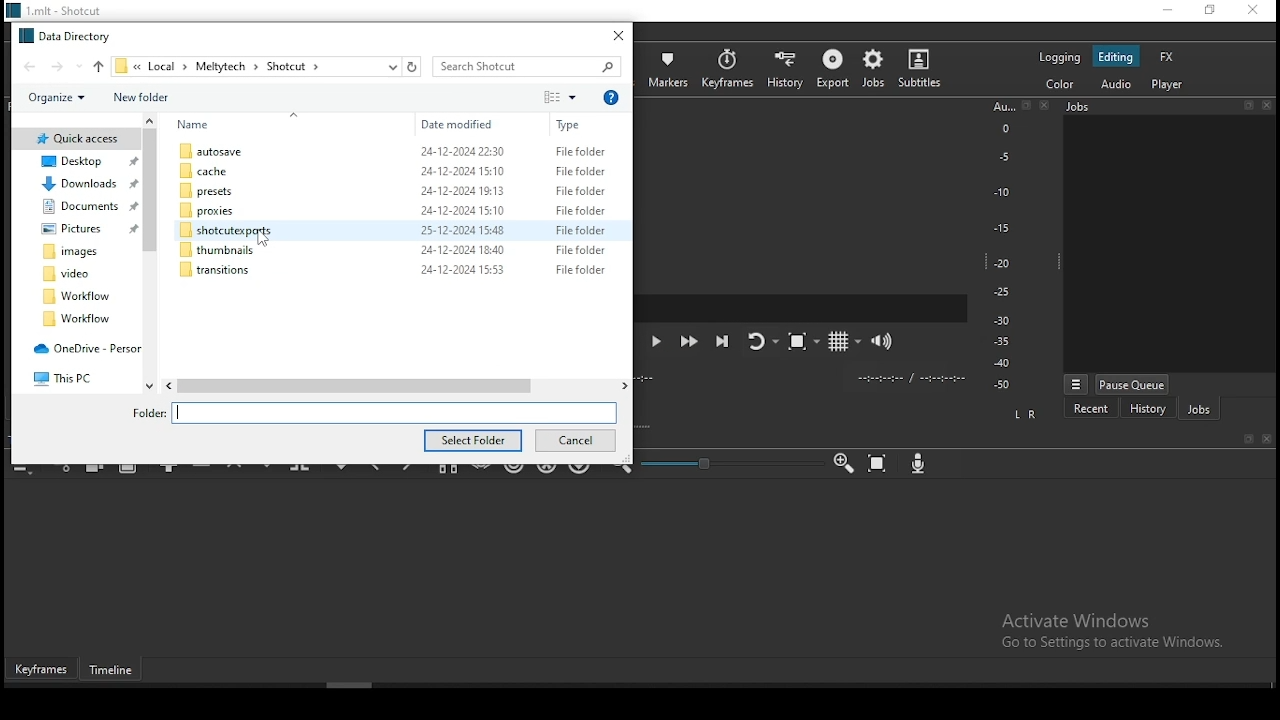 The image size is (1280, 720). I want to click on data directory, so click(66, 33).